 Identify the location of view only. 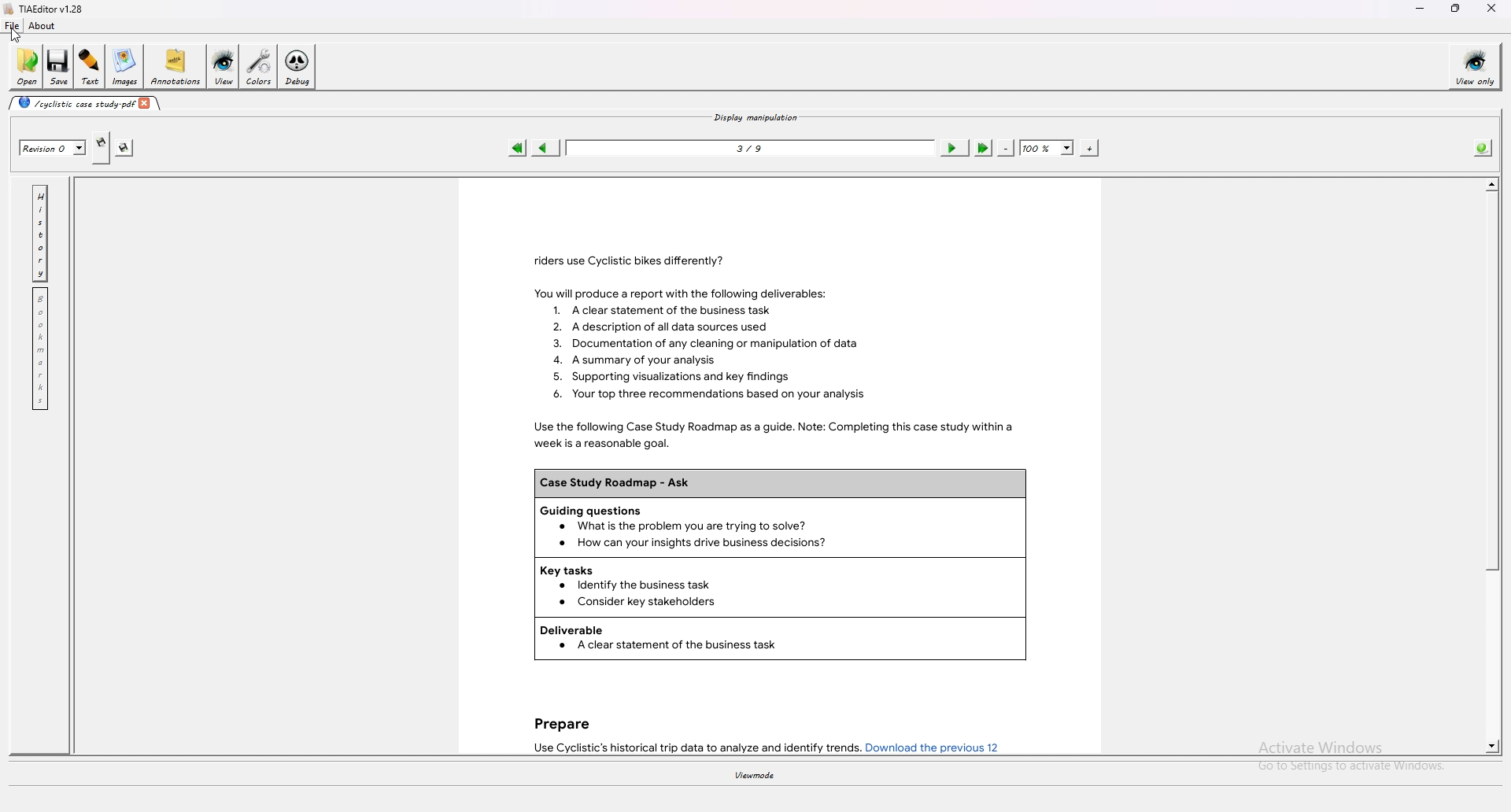
(1475, 66).